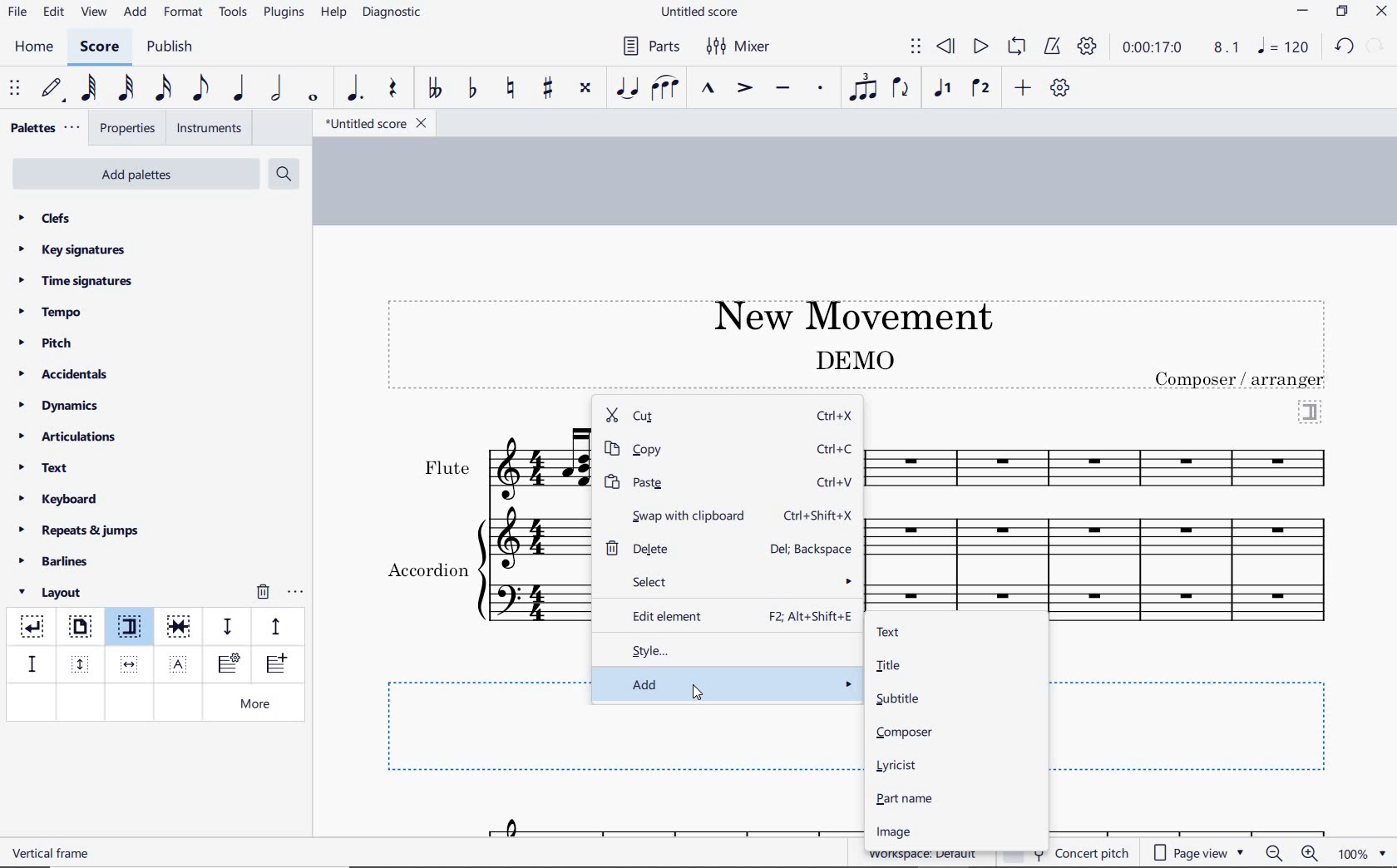 Image resolution: width=1397 pixels, height=868 pixels. What do you see at coordinates (1019, 47) in the screenshot?
I see `loop playback` at bounding box center [1019, 47].